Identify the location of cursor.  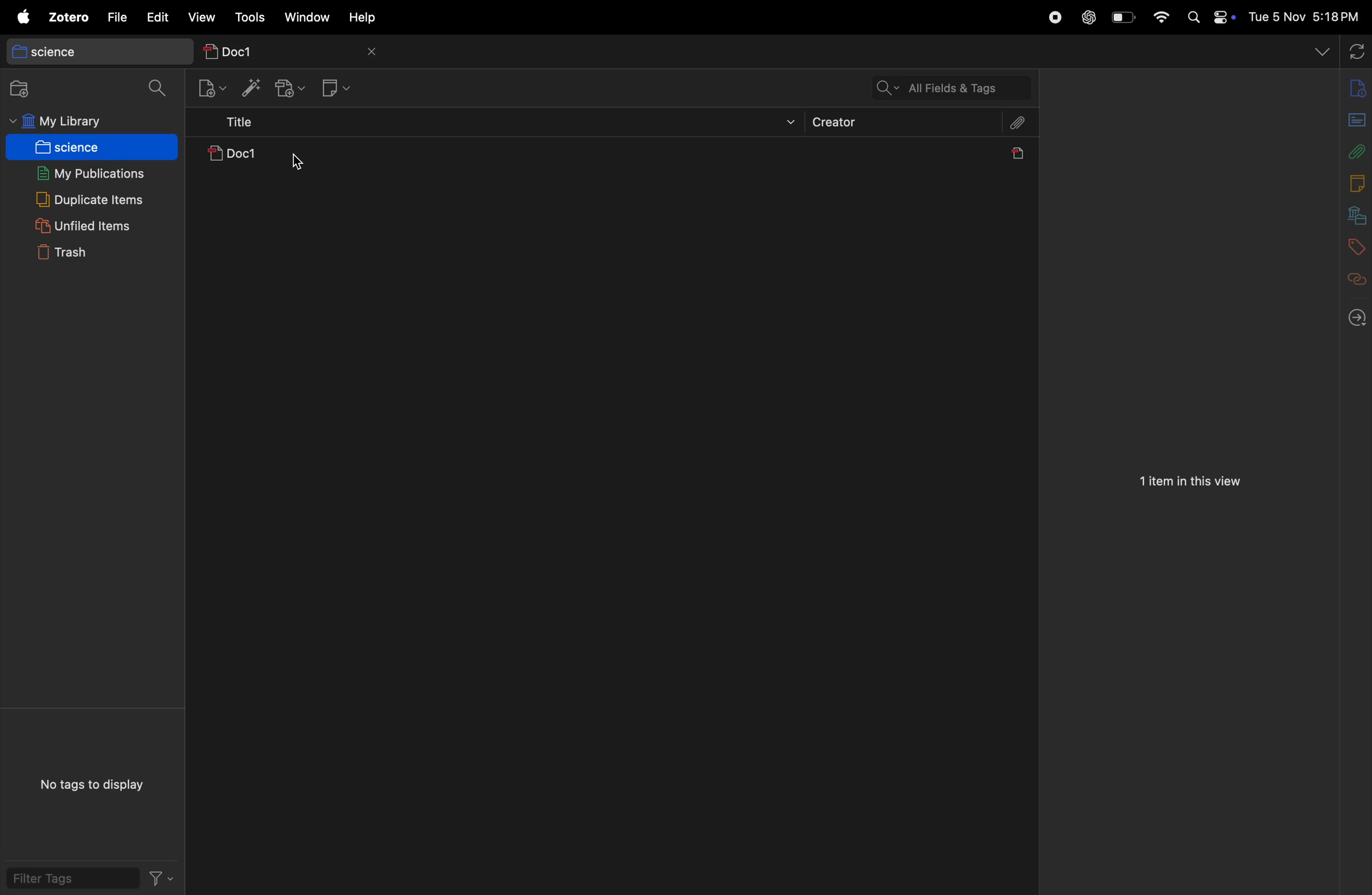
(297, 163).